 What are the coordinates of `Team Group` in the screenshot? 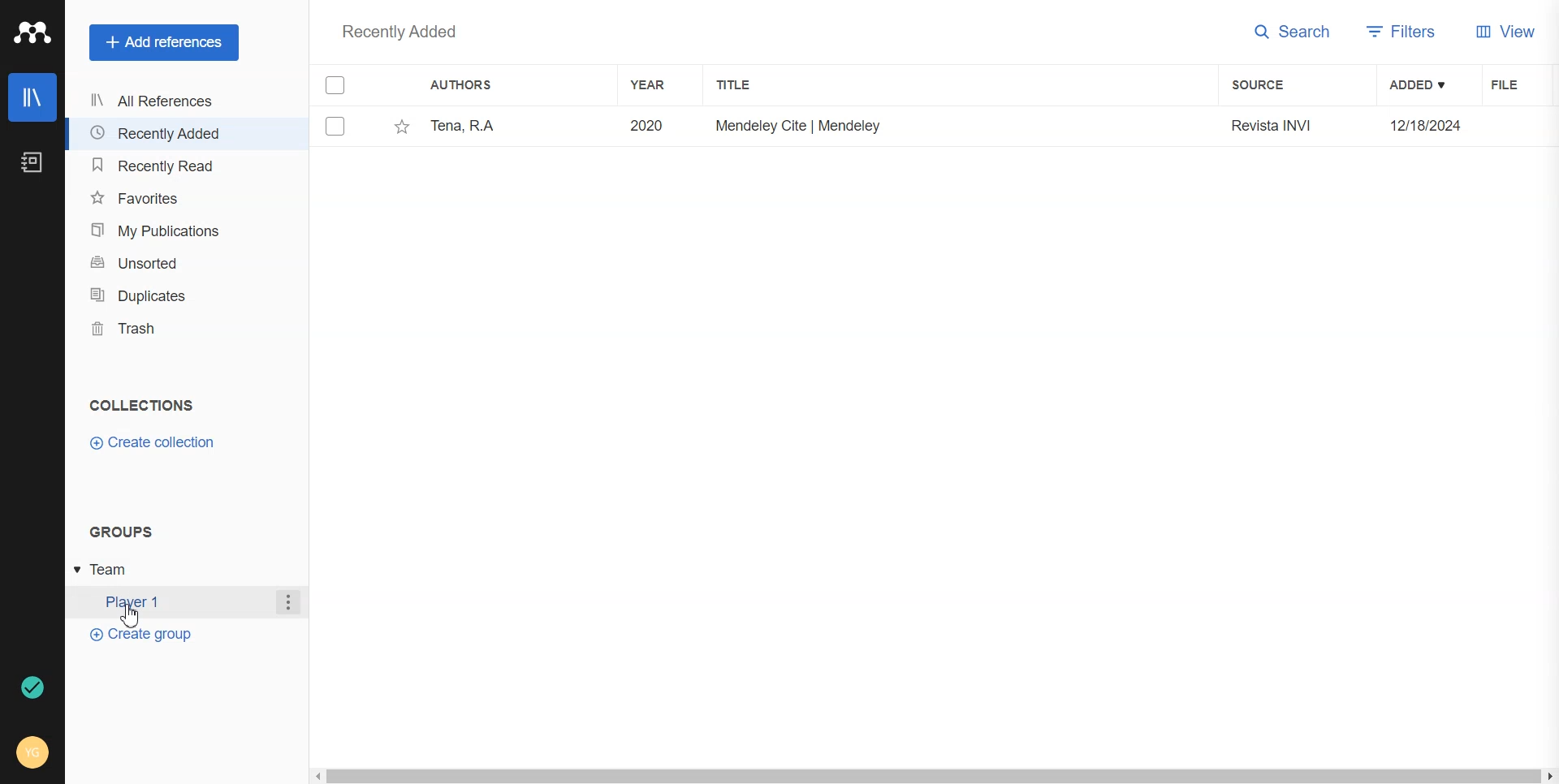 It's located at (114, 569).